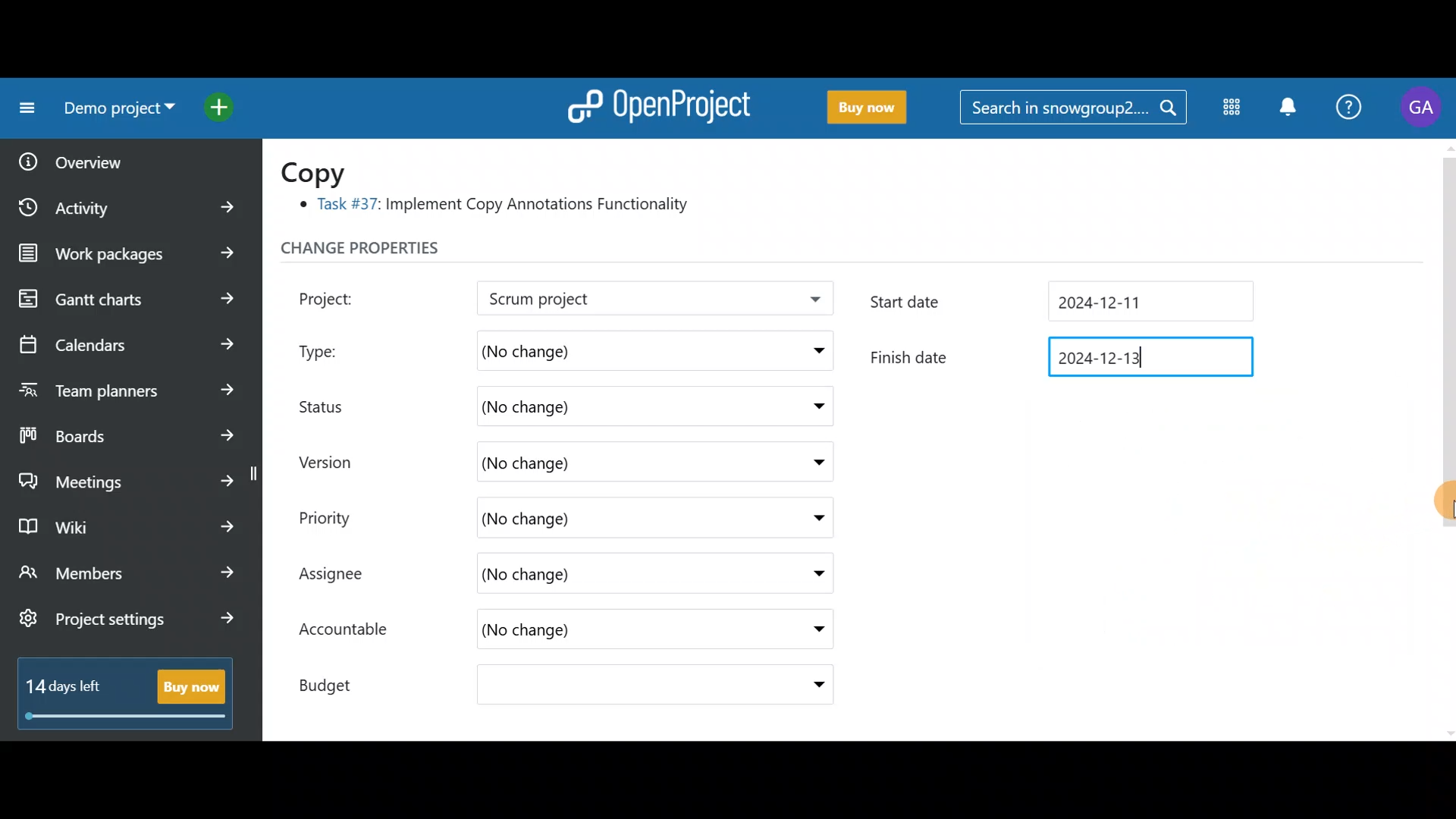  I want to click on Search in snowgroup?.... , so click(1077, 108).